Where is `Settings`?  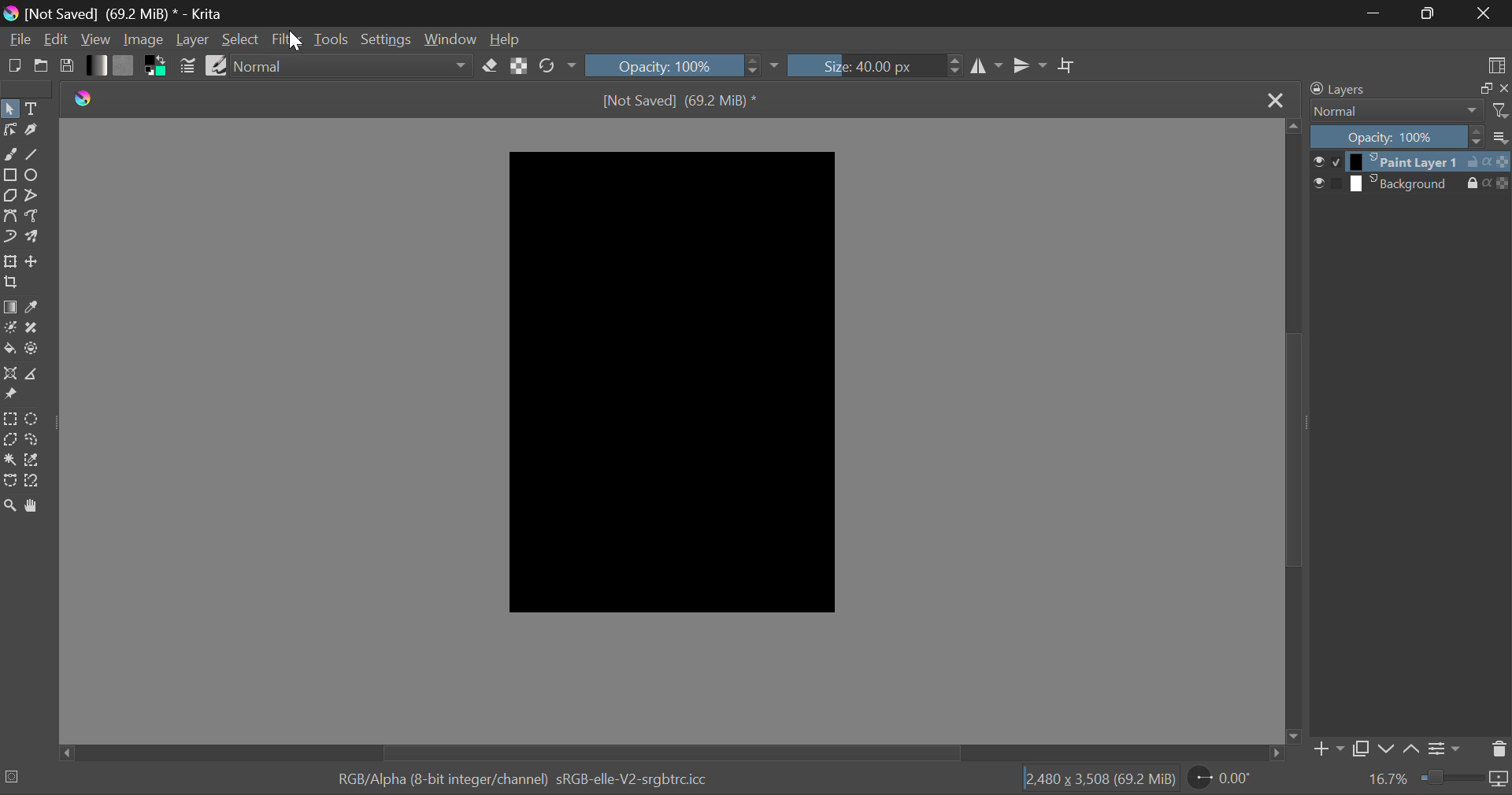
Settings is located at coordinates (387, 38).